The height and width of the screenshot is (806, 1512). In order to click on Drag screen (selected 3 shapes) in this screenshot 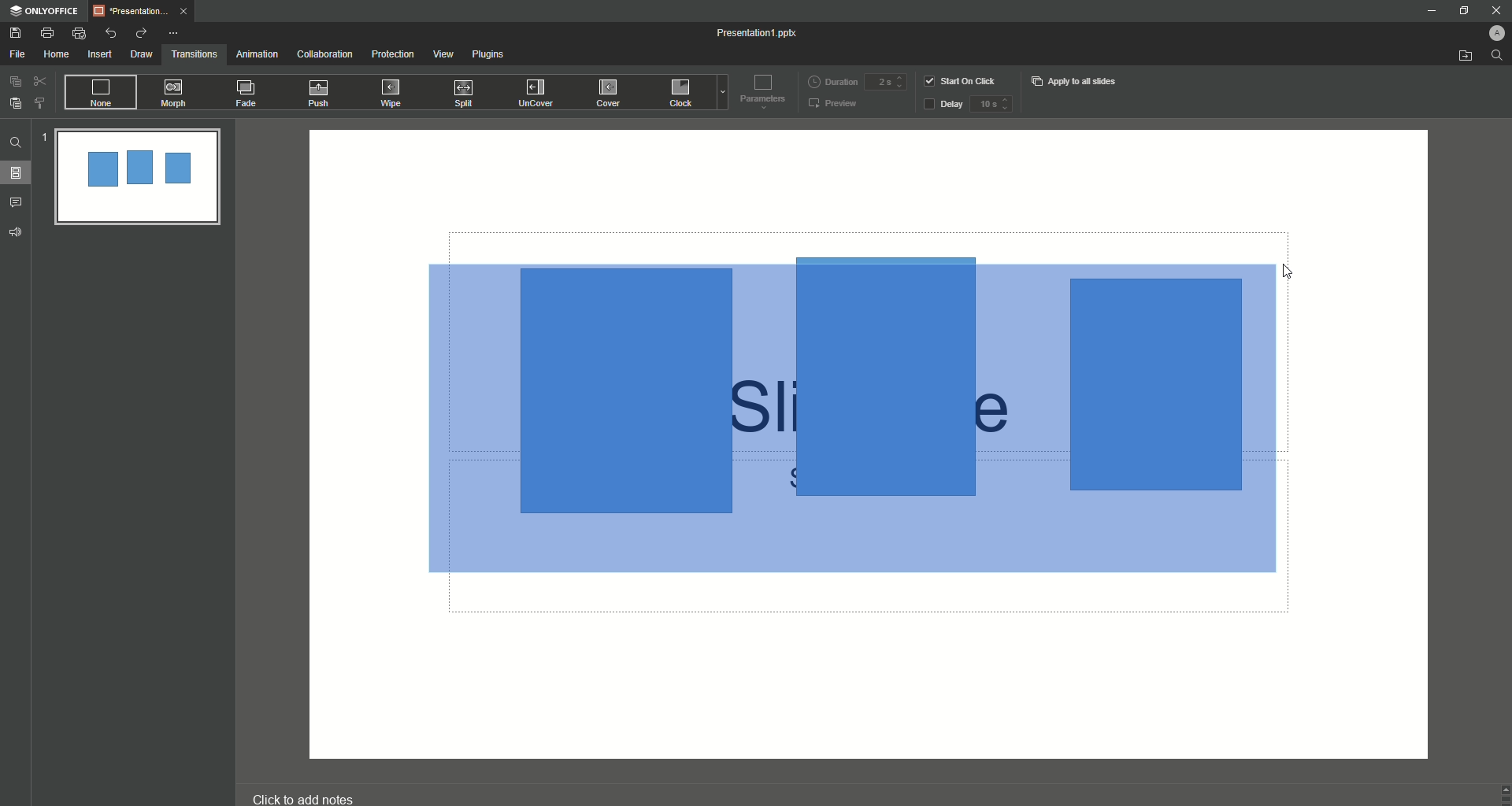, I will do `click(859, 419)`.